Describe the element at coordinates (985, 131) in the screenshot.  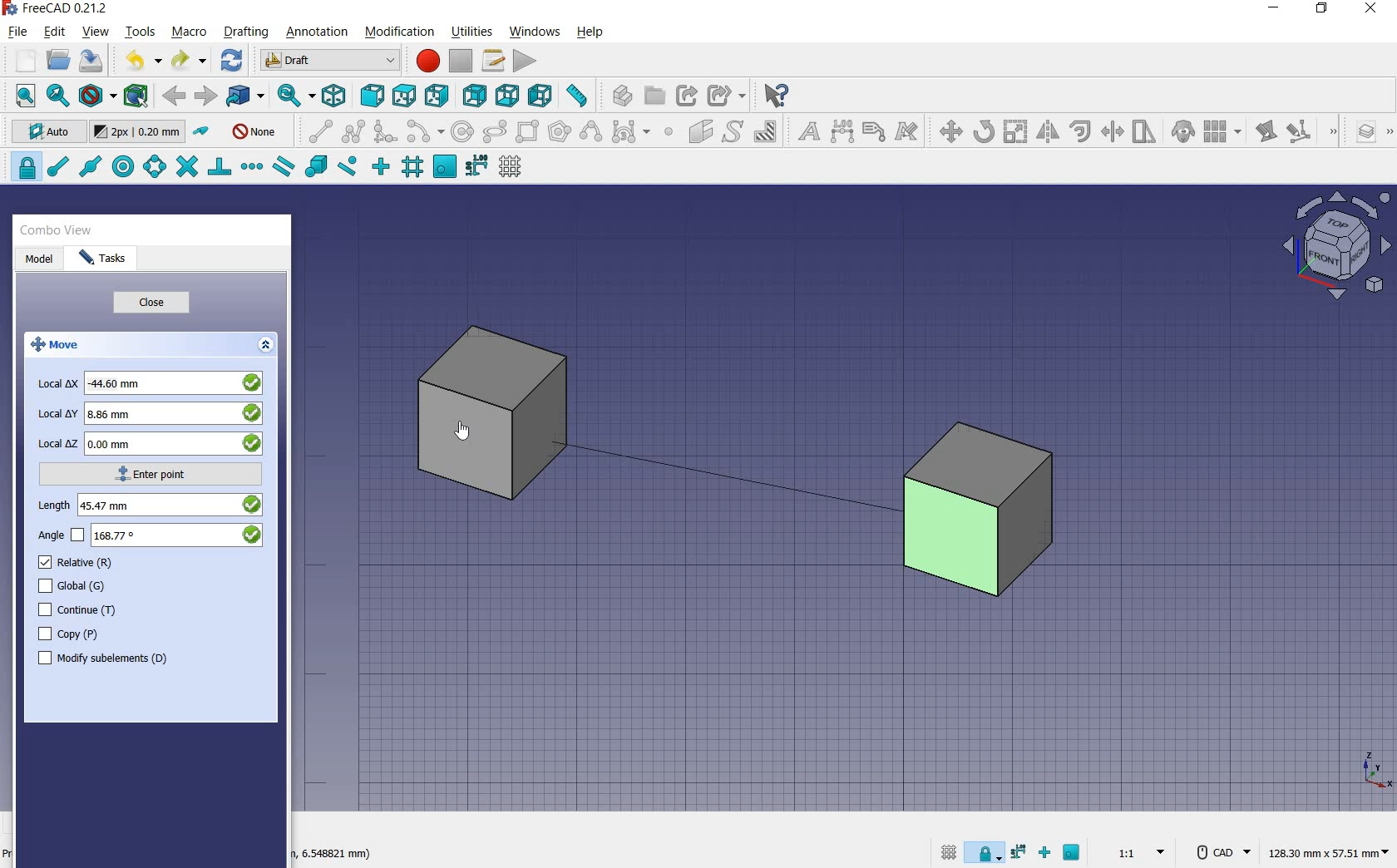
I see `rotate` at that location.